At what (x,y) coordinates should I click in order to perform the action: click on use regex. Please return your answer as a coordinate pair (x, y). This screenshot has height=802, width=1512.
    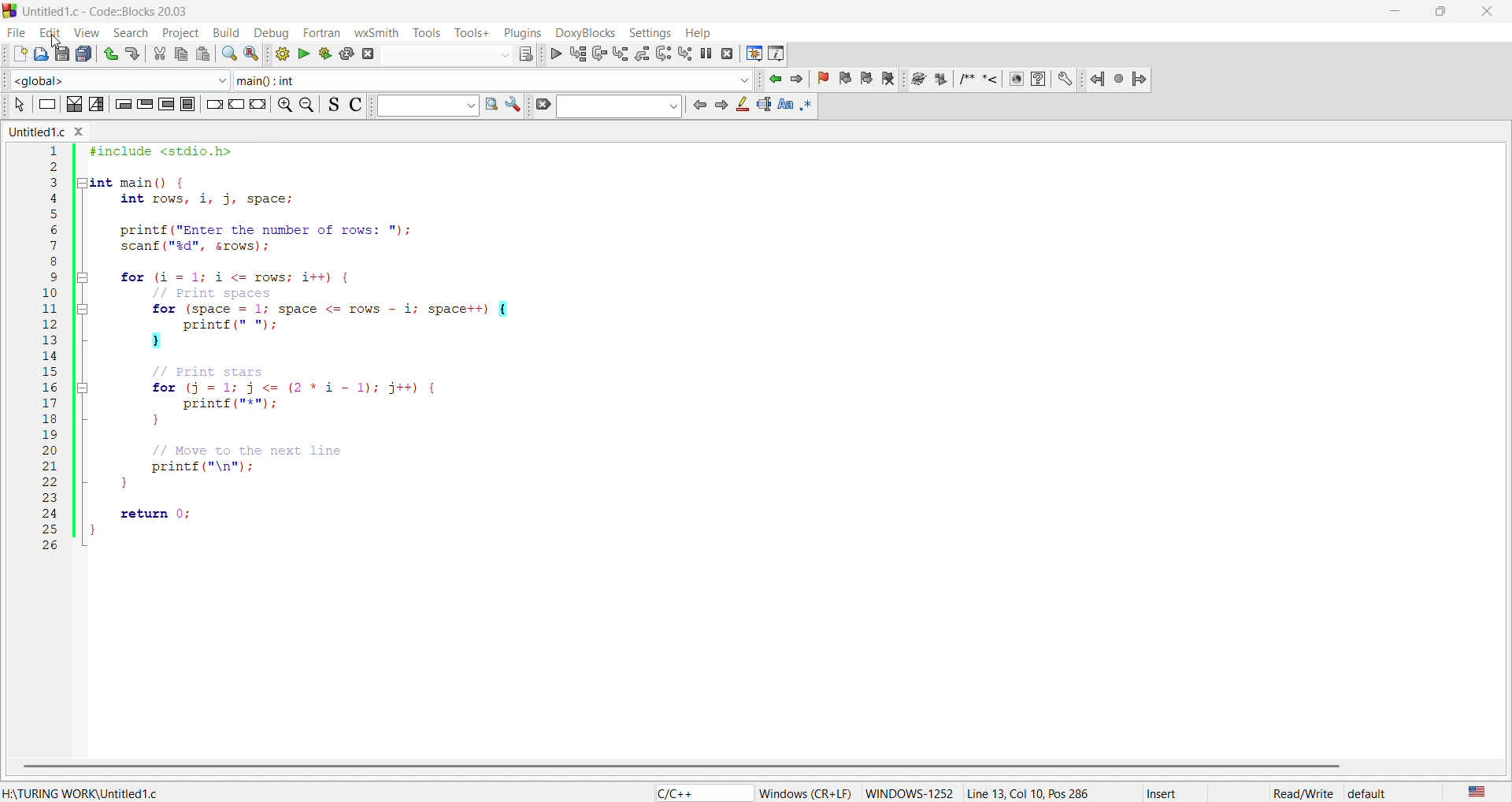
    Looking at the image, I should click on (809, 106).